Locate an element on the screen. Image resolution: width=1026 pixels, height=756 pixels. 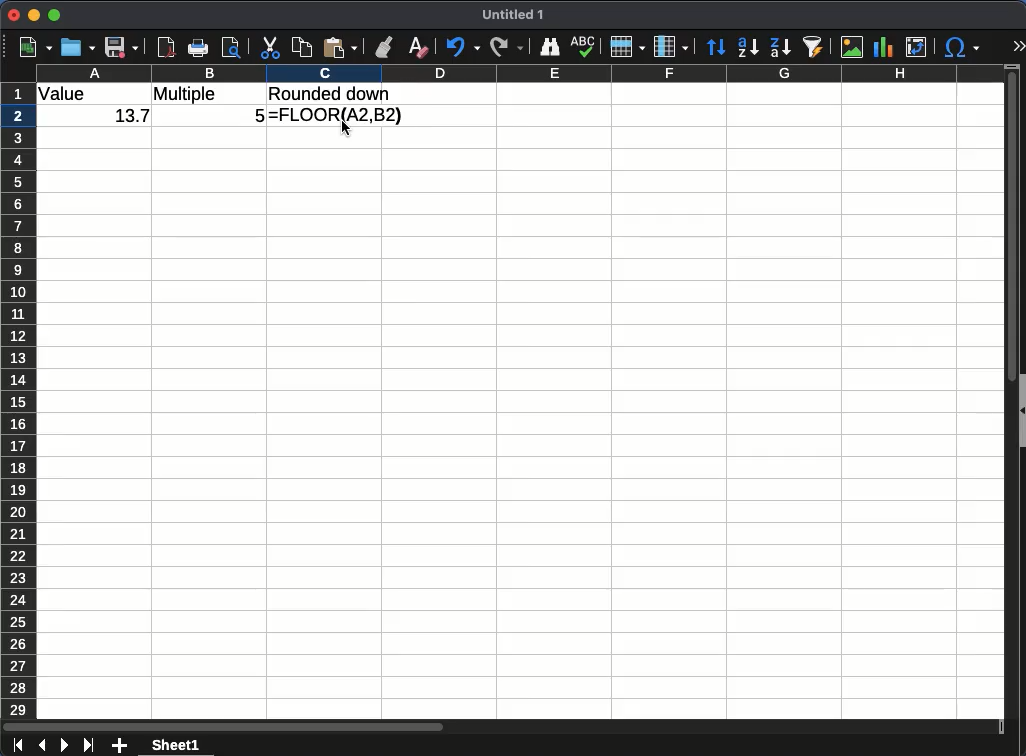
print is located at coordinates (198, 47).